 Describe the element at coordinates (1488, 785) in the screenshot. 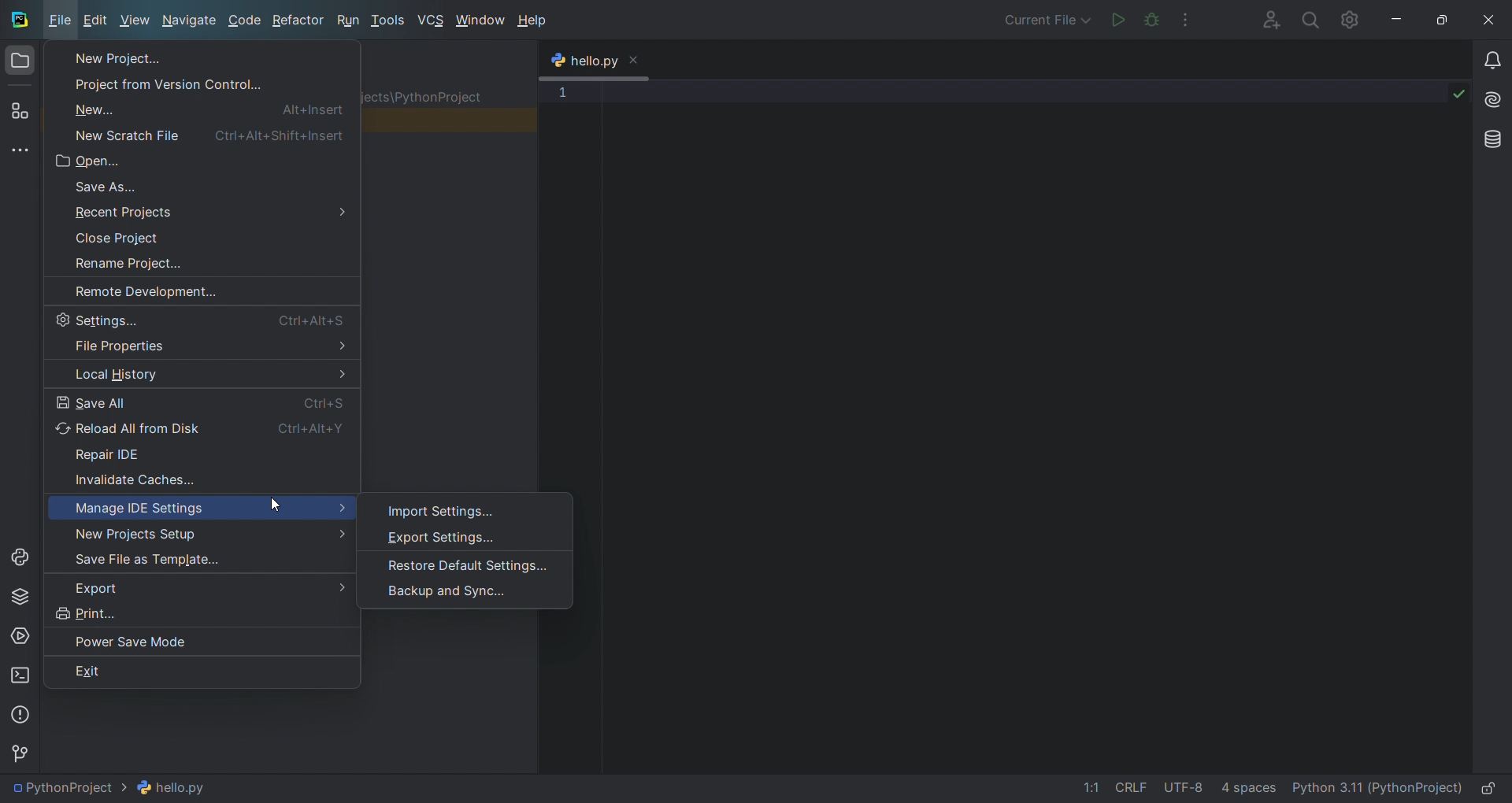

I see `lock` at that location.